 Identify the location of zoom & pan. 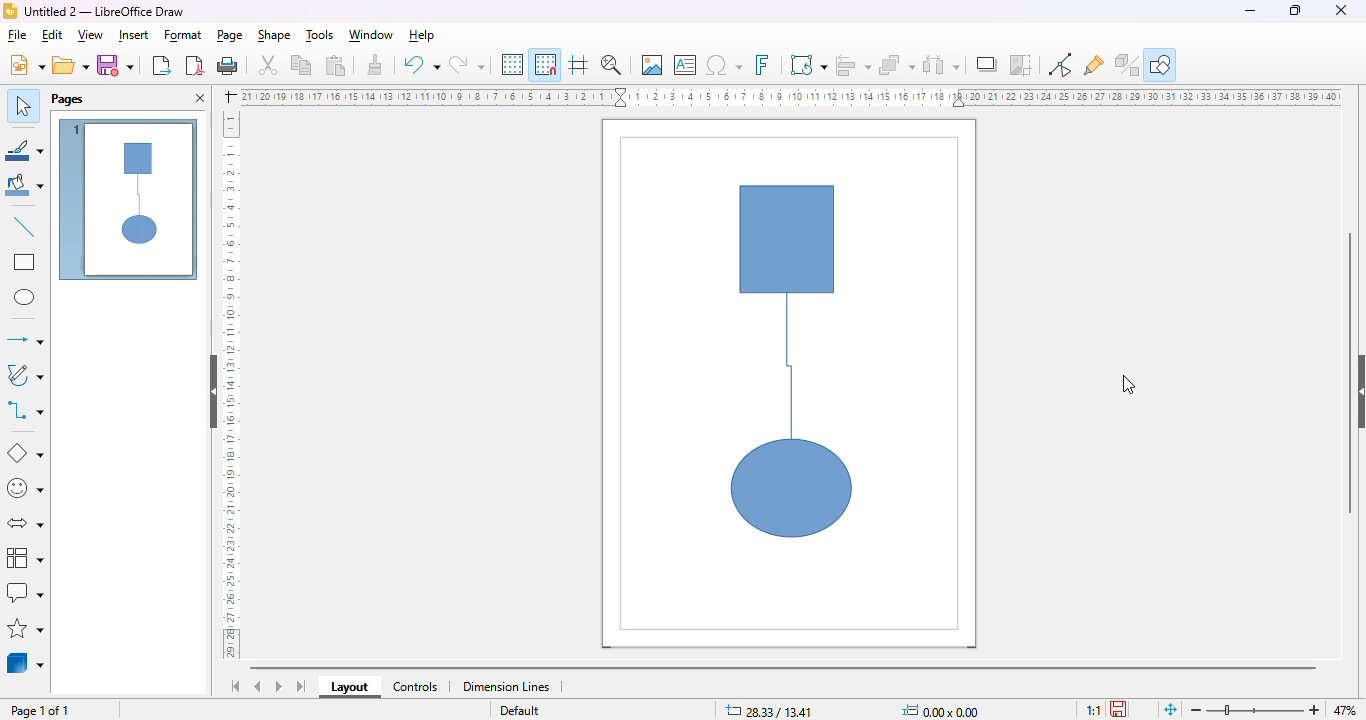
(611, 64).